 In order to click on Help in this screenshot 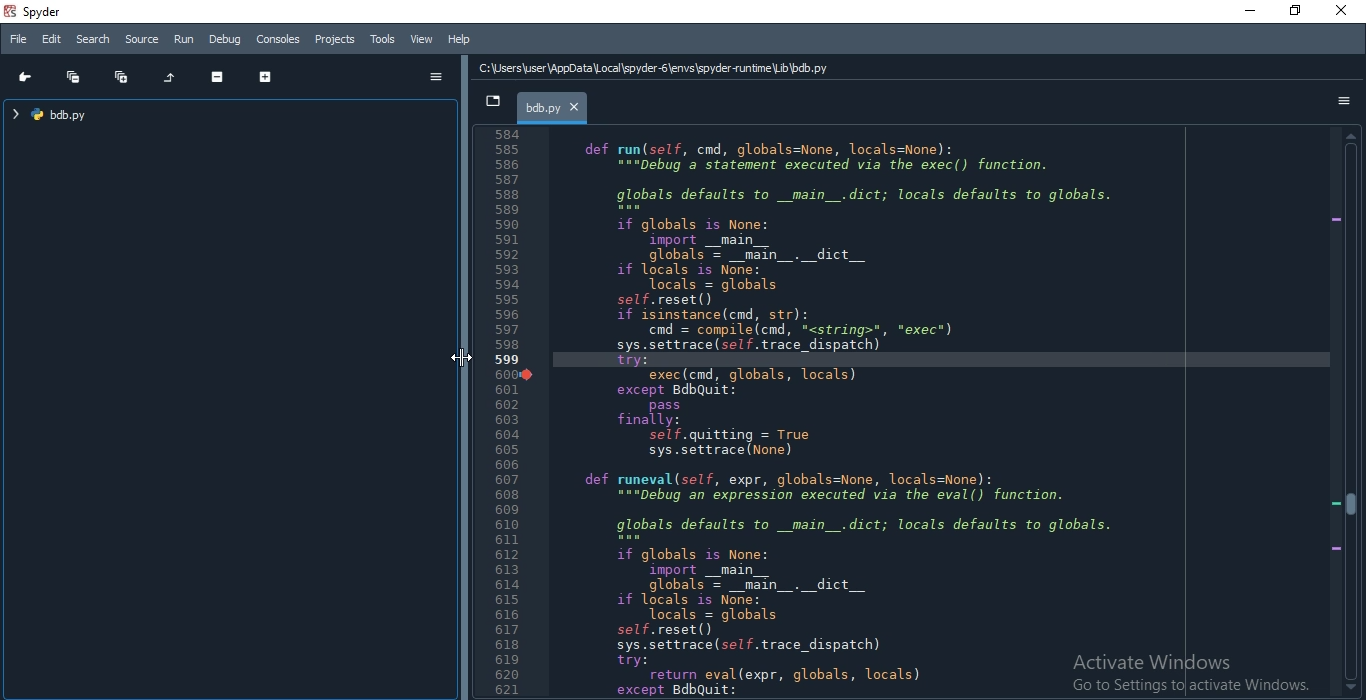, I will do `click(458, 40)`.